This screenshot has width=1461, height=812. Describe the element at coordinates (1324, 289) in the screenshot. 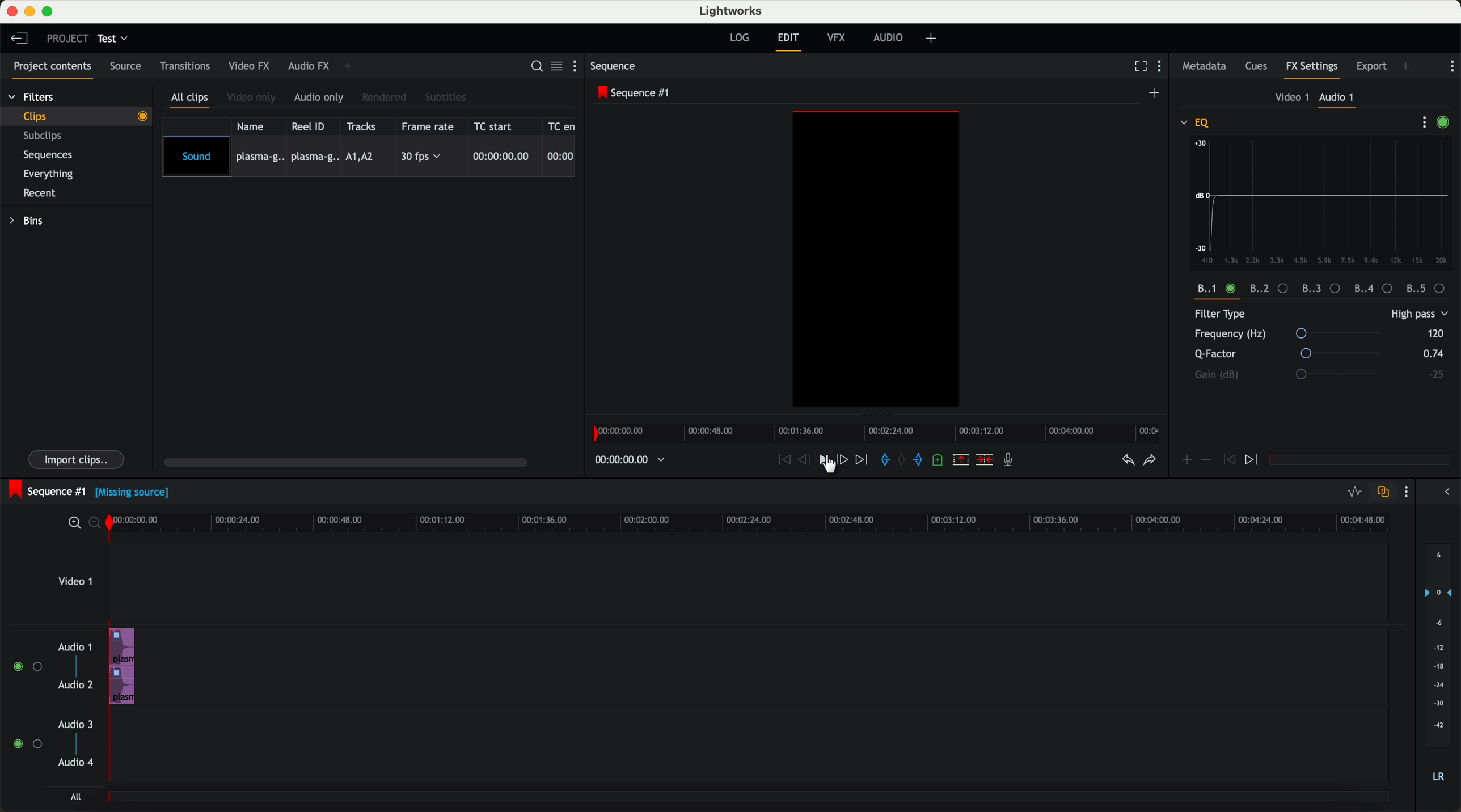

I see `data` at that location.